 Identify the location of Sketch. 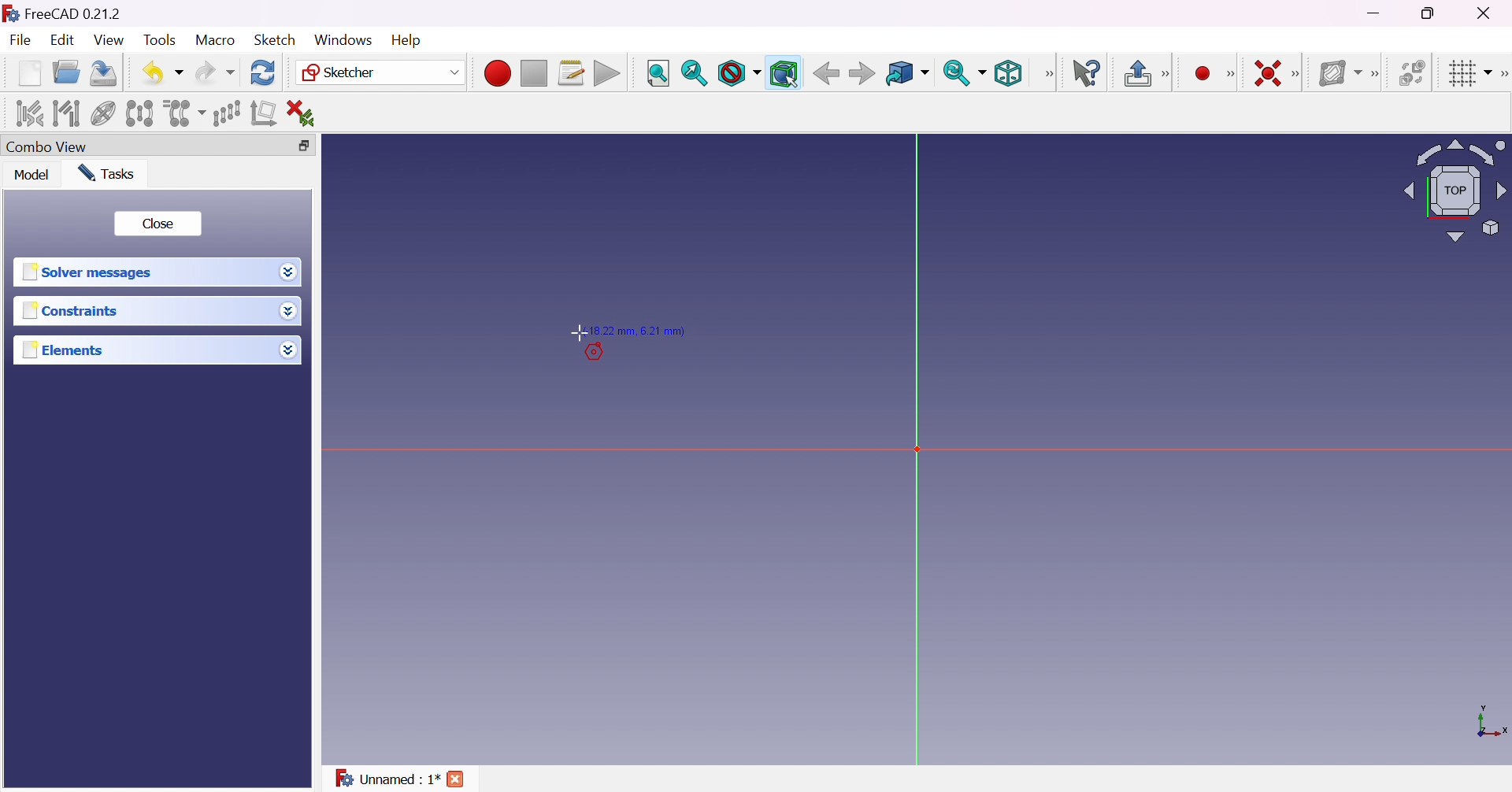
(280, 39).